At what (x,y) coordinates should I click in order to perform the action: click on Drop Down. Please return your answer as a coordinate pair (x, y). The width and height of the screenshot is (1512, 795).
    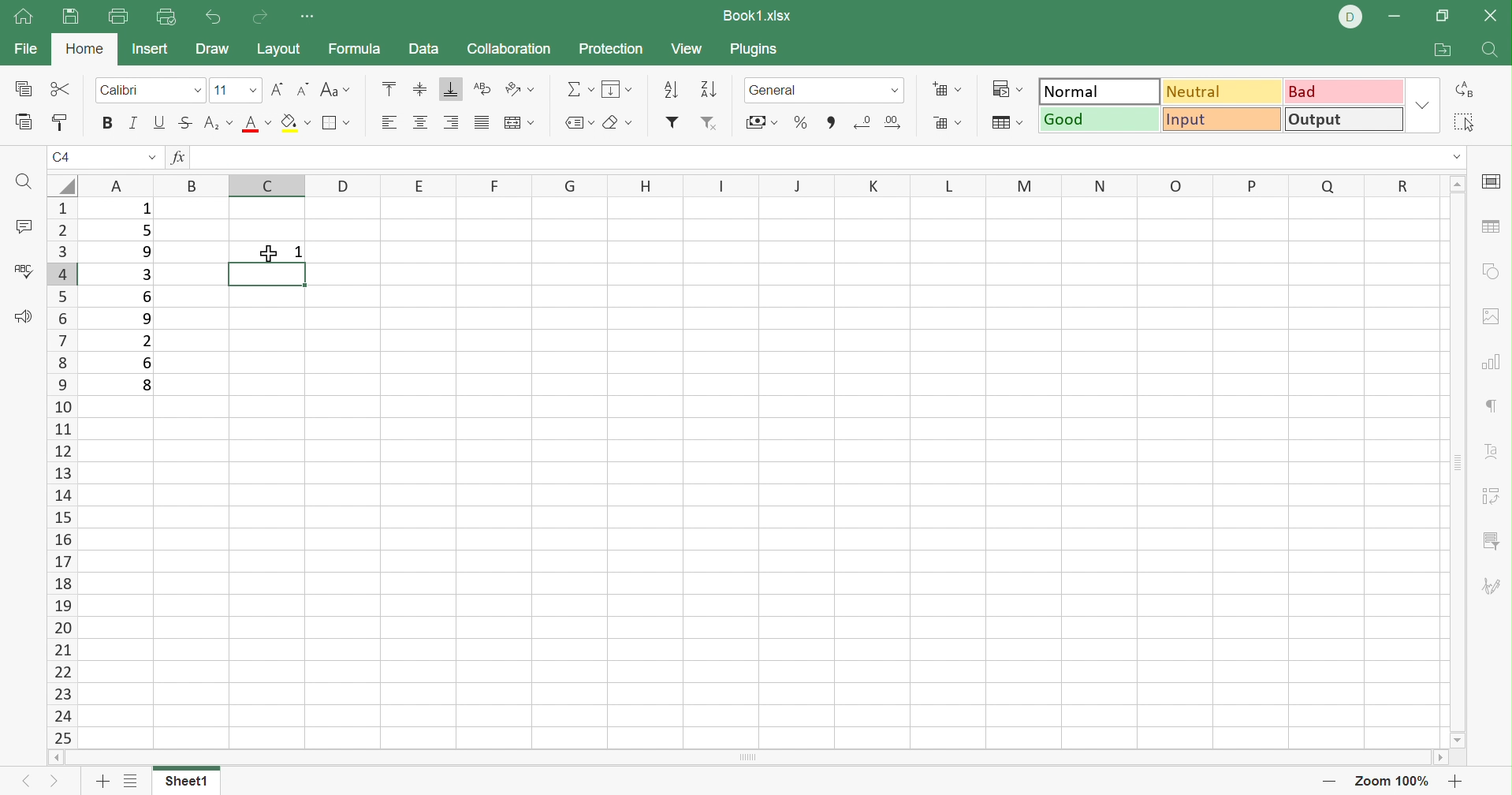
    Looking at the image, I should click on (250, 91).